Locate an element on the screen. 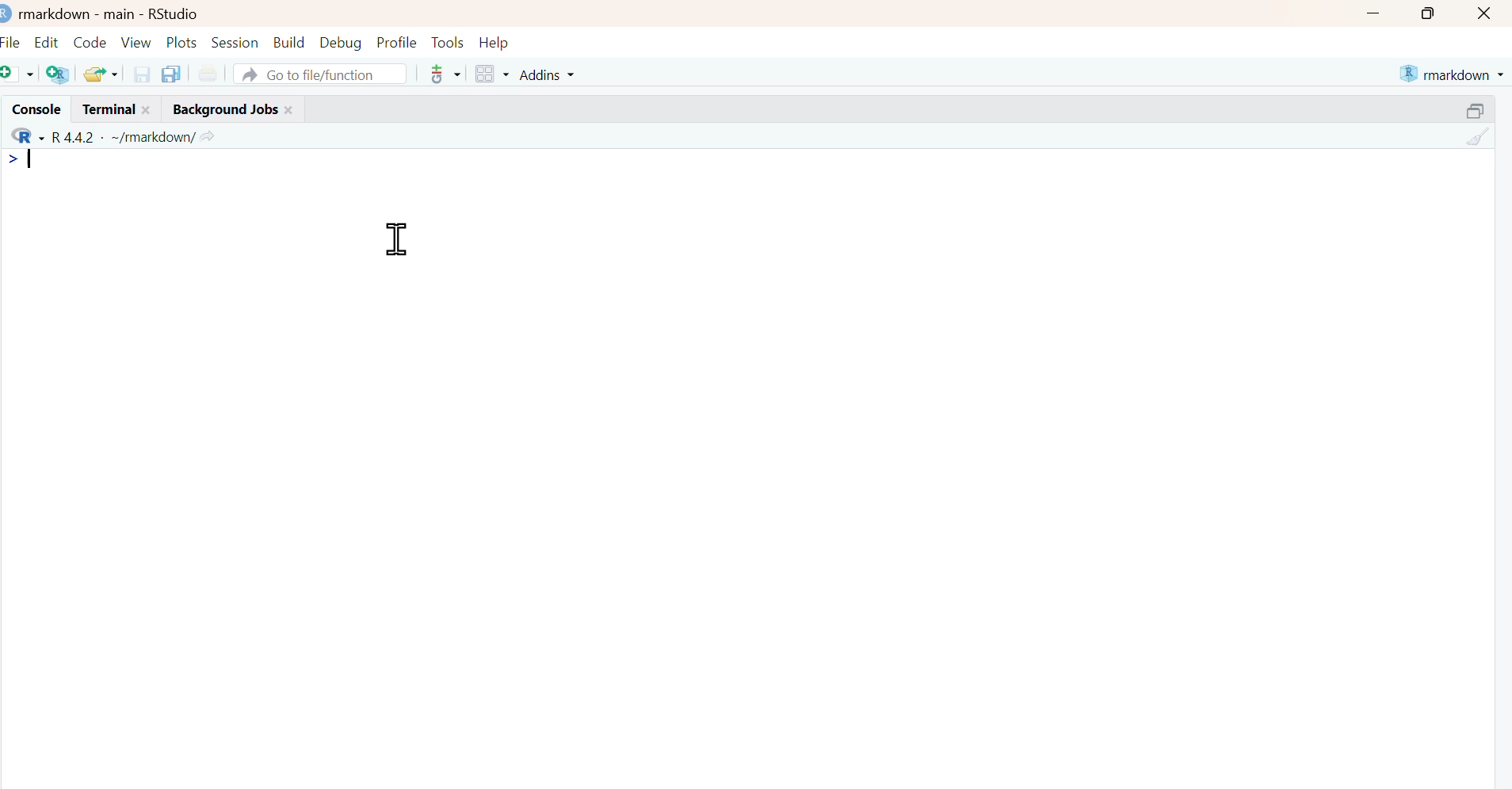 The width and height of the screenshot is (1512, 789). File is located at coordinates (13, 40).